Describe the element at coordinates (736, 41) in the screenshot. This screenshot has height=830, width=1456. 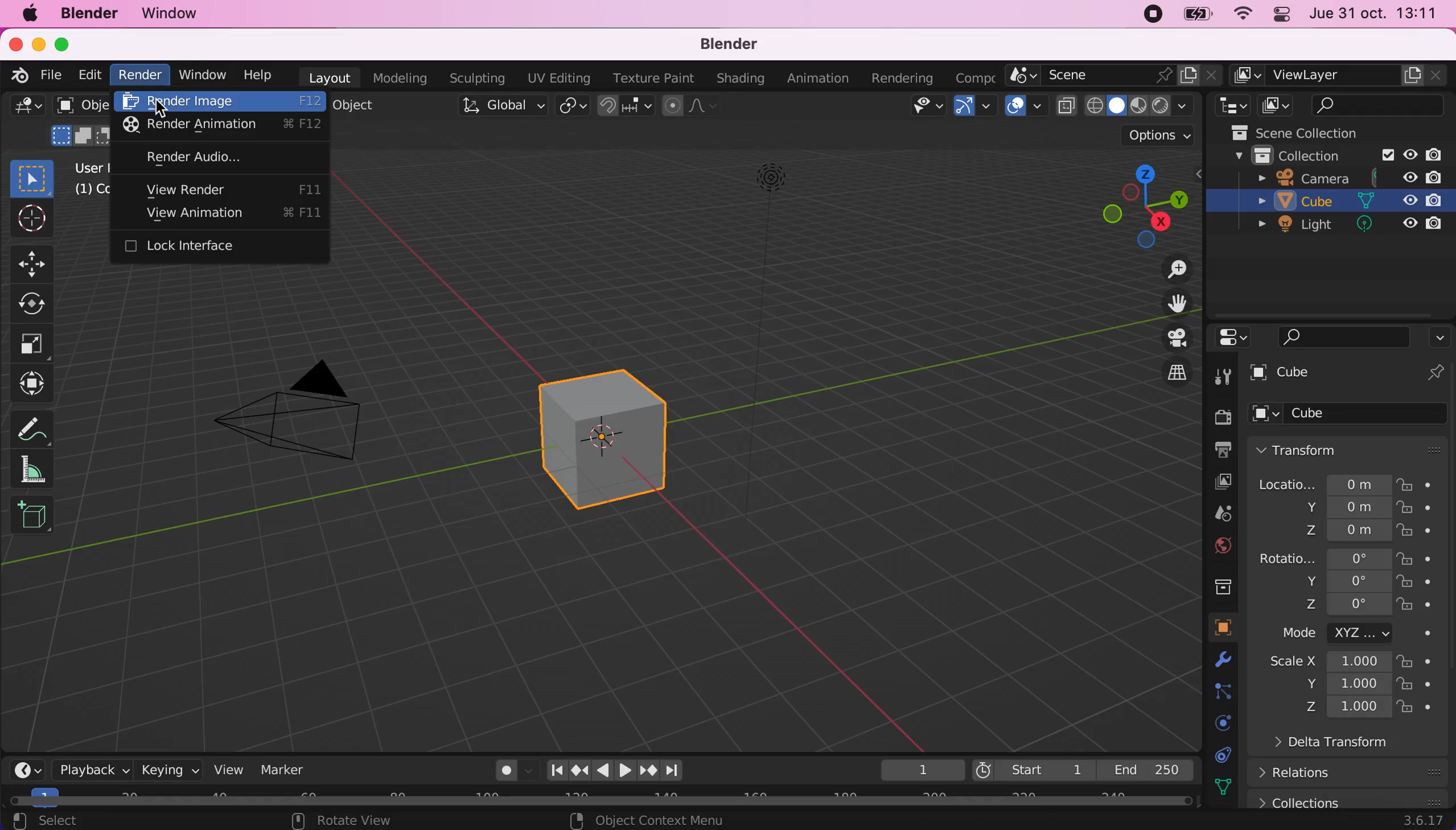
I see `blender` at that location.